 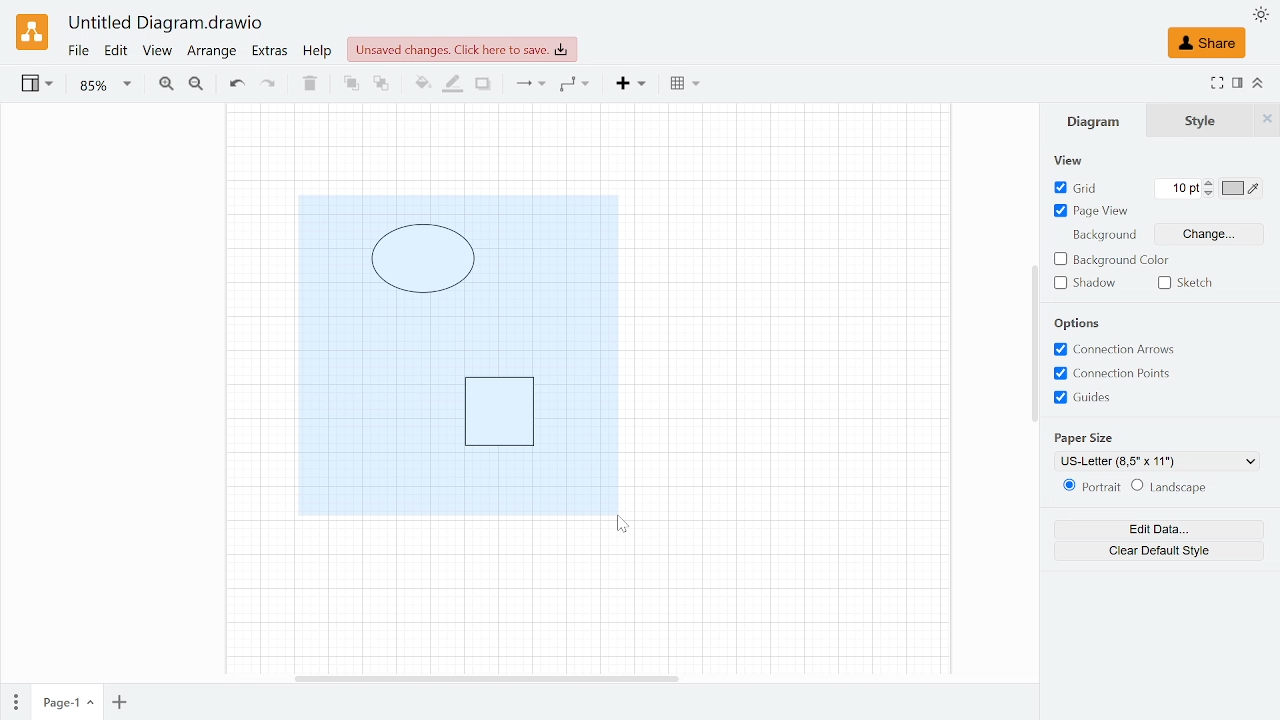 What do you see at coordinates (1159, 529) in the screenshot?
I see `Edit data` at bounding box center [1159, 529].